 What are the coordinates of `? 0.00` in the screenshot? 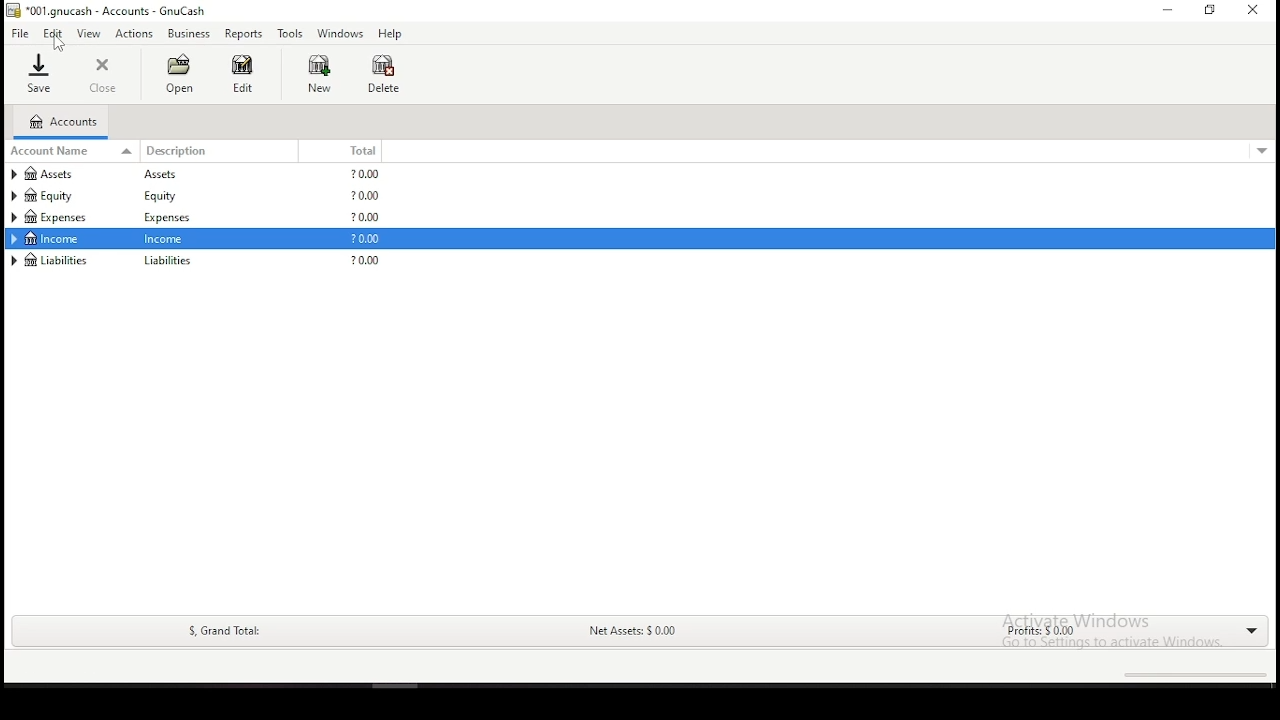 It's located at (367, 174).